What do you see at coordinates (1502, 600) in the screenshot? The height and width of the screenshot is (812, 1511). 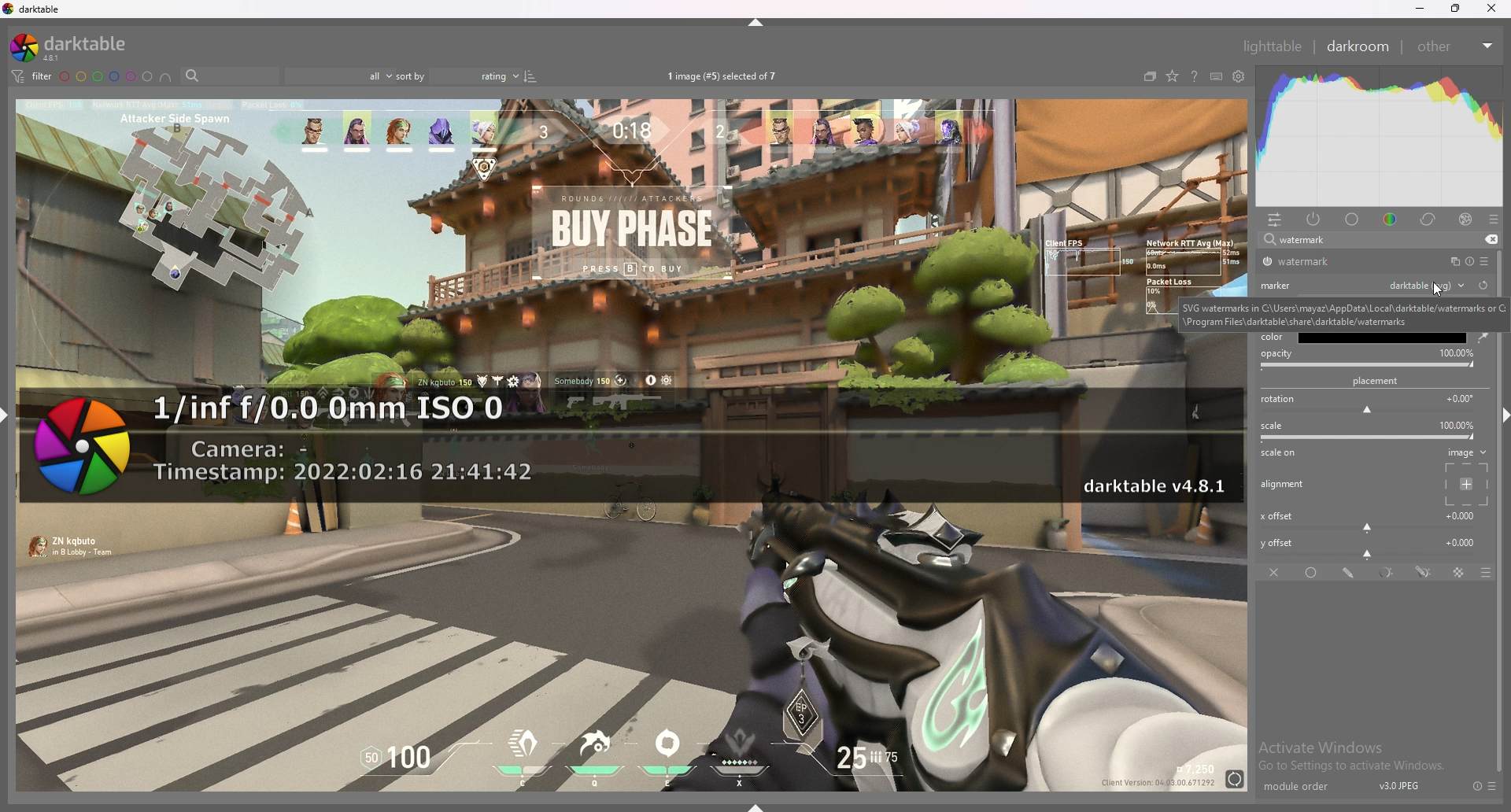 I see `scroll bar` at bounding box center [1502, 600].